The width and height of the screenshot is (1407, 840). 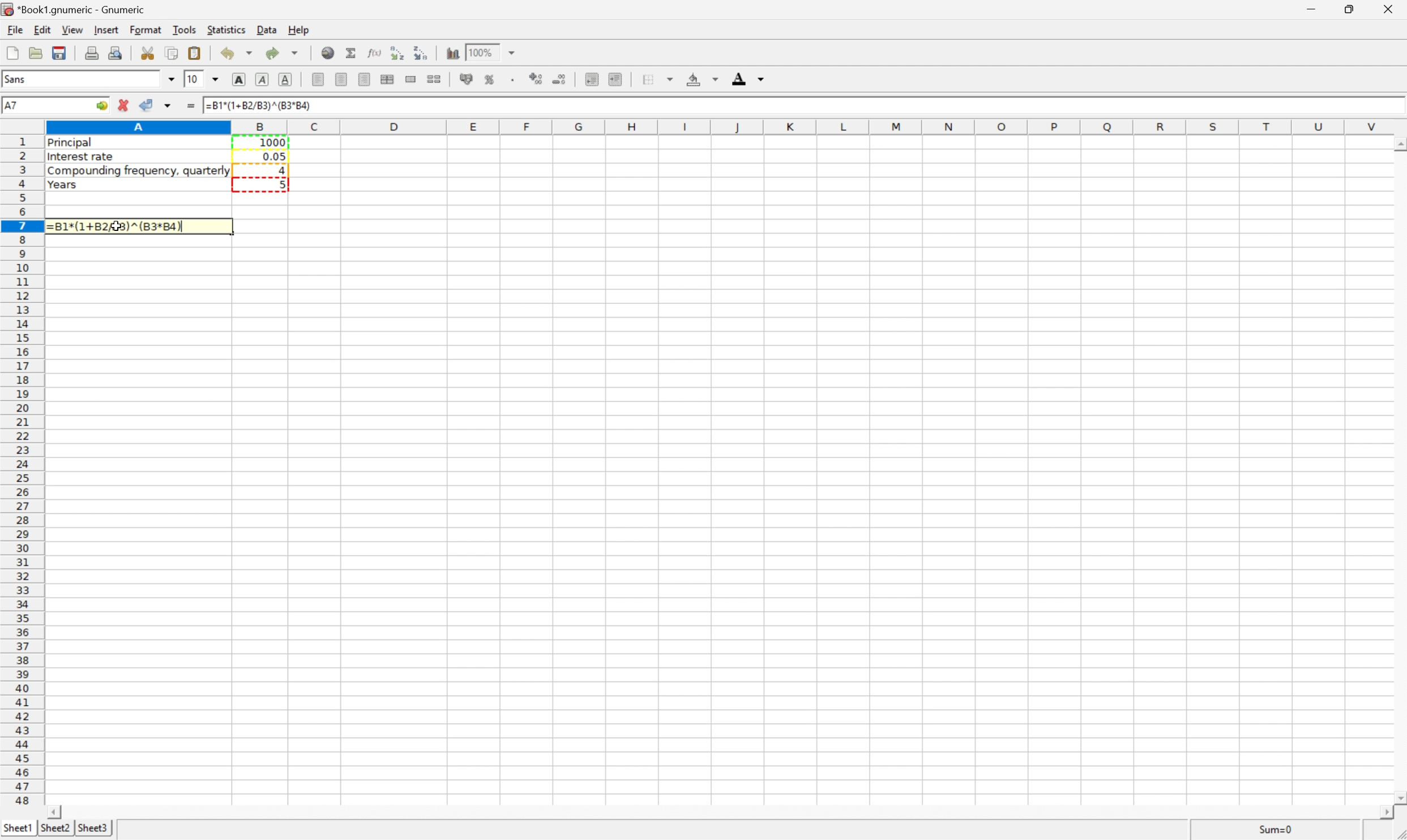 I want to click on edit function in current cell, so click(x=375, y=53).